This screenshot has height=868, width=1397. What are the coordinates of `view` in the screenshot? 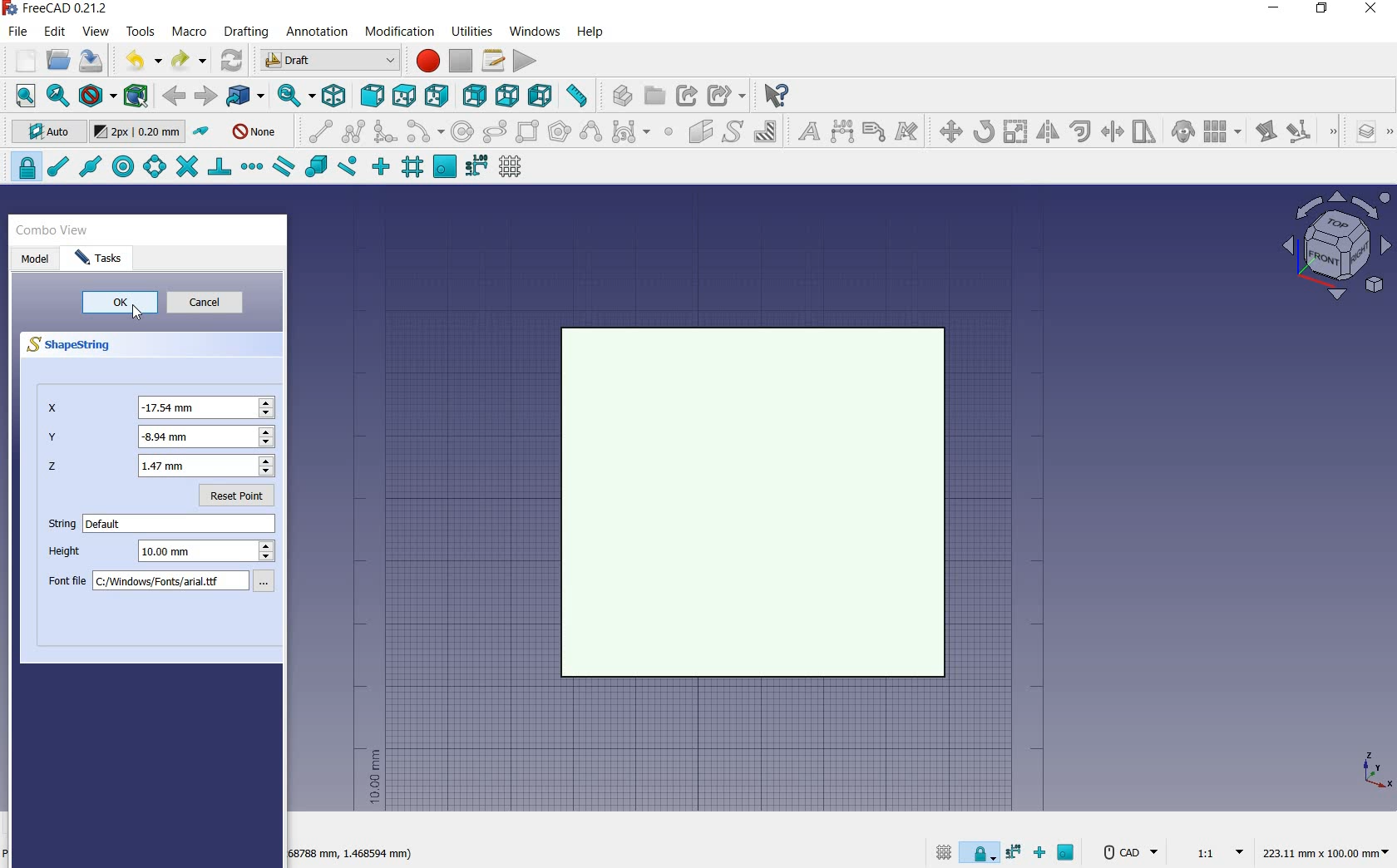 It's located at (96, 32).